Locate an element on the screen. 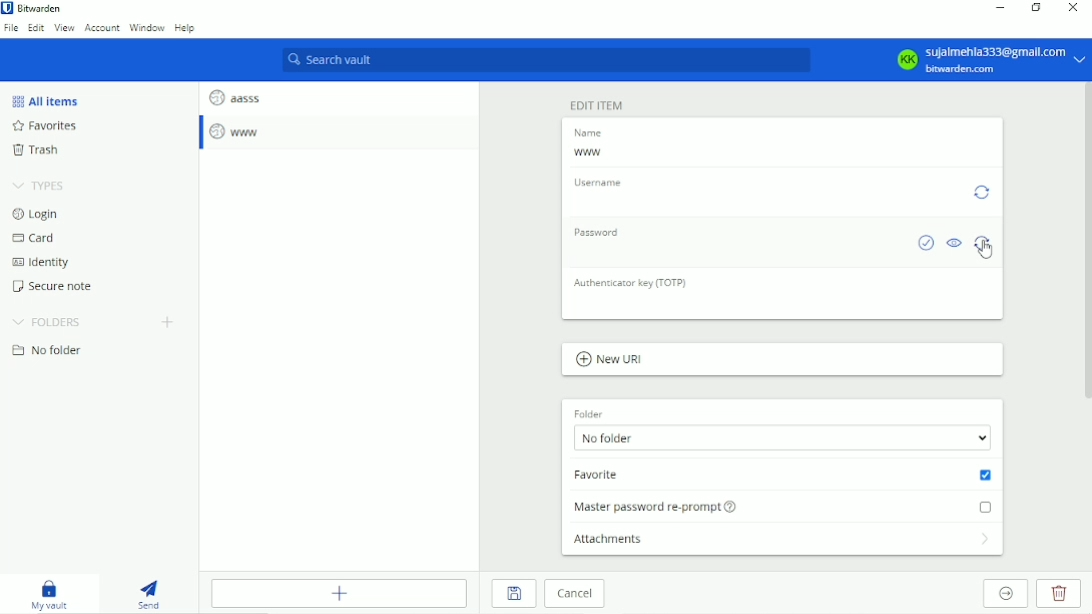  Restore down is located at coordinates (1037, 9).